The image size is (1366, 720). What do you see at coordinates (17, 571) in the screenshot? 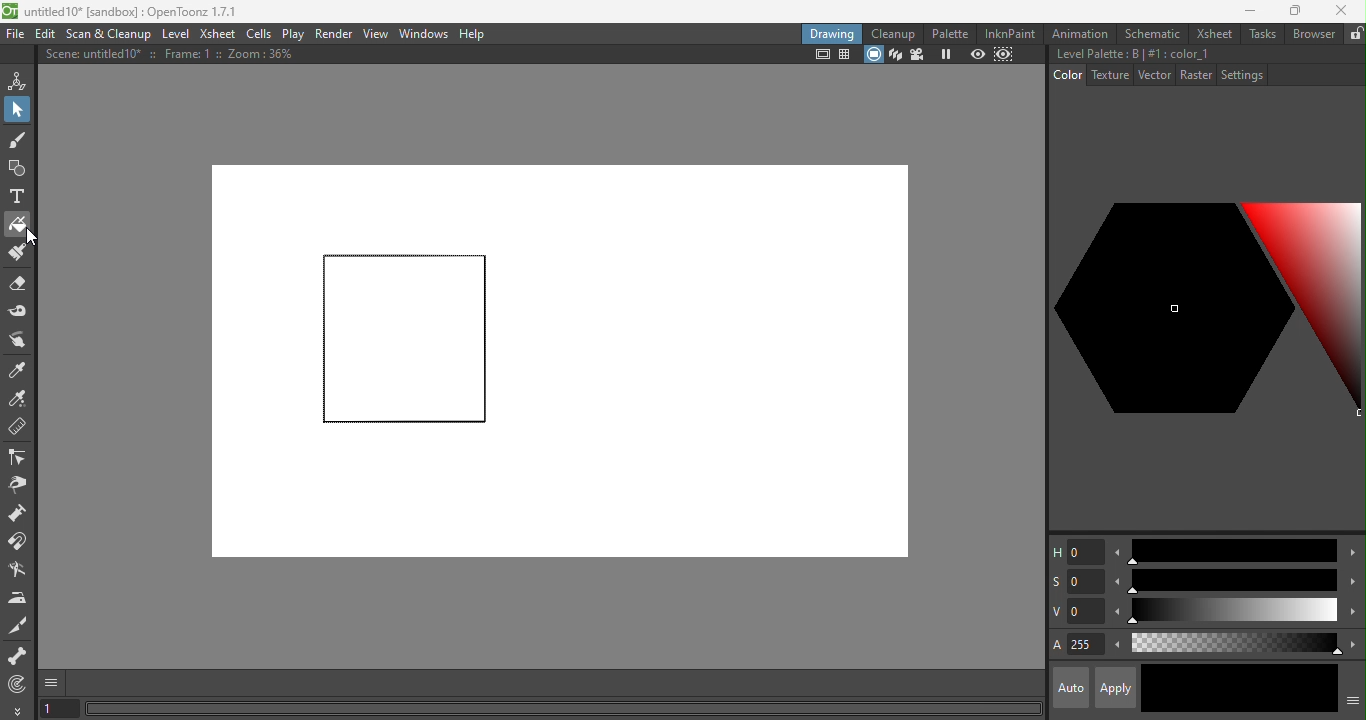
I see `Cutter tool` at bounding box center [17, 571].